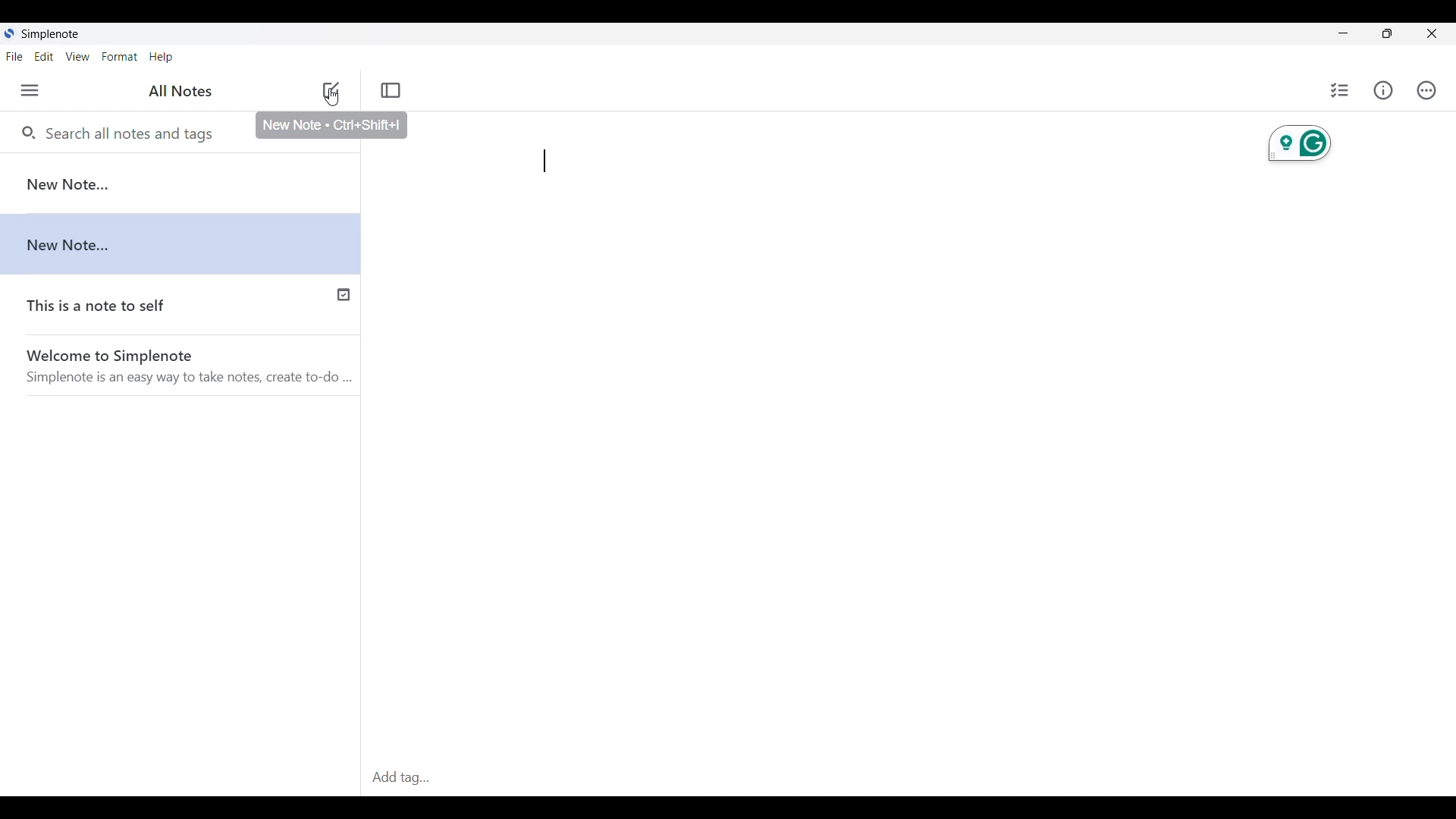  Describe the element at coordinates (1387, 33) in the screenshot. I see `Maximize` at that location.